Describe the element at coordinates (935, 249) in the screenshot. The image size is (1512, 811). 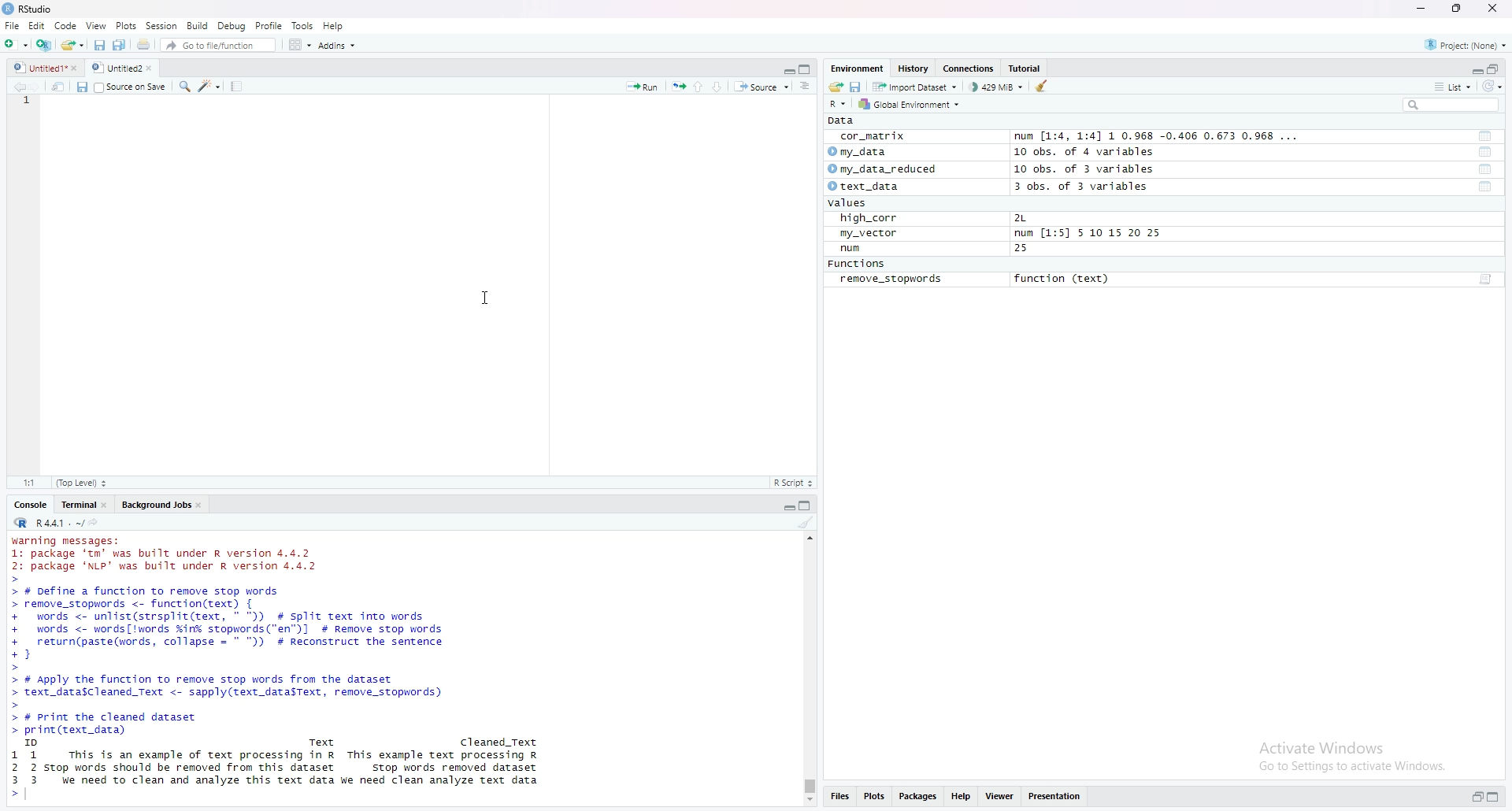
I see `num 25` at that location.